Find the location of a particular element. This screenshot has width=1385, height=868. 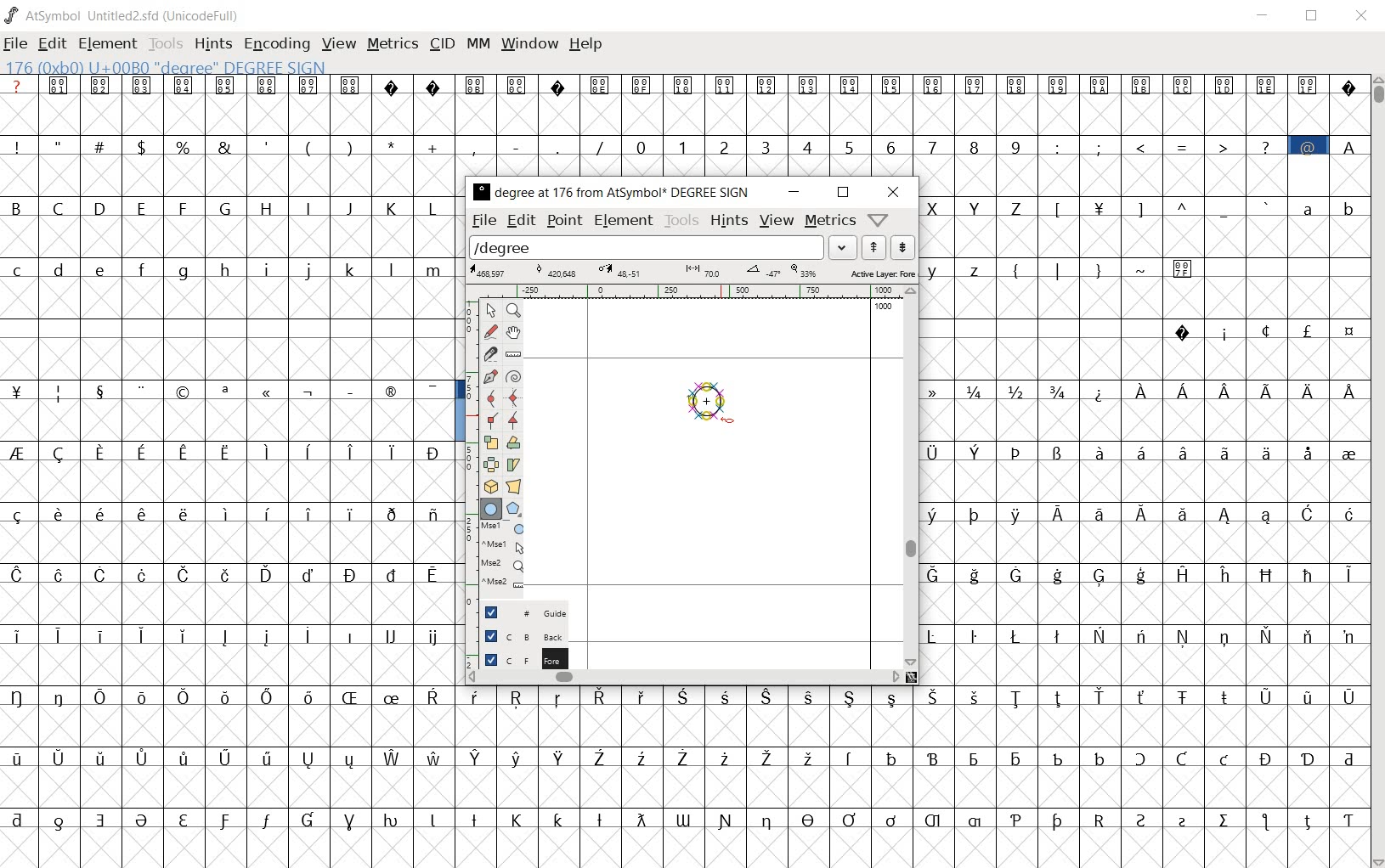

rotate the selection in 3D and project back to plane is located at coordinates (488, 487).